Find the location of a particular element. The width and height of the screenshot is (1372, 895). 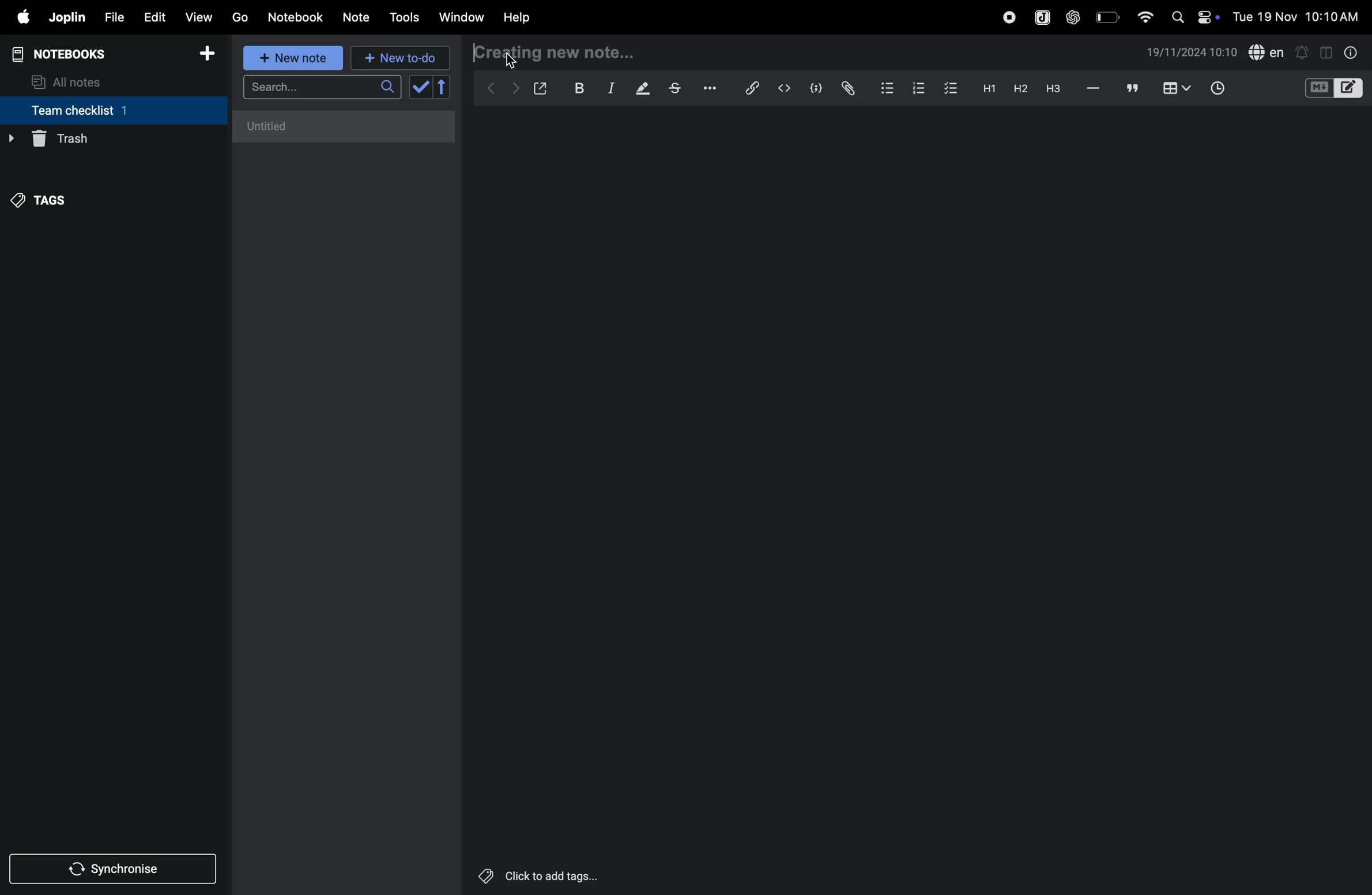

strike through is located at coordinates (674, 88).